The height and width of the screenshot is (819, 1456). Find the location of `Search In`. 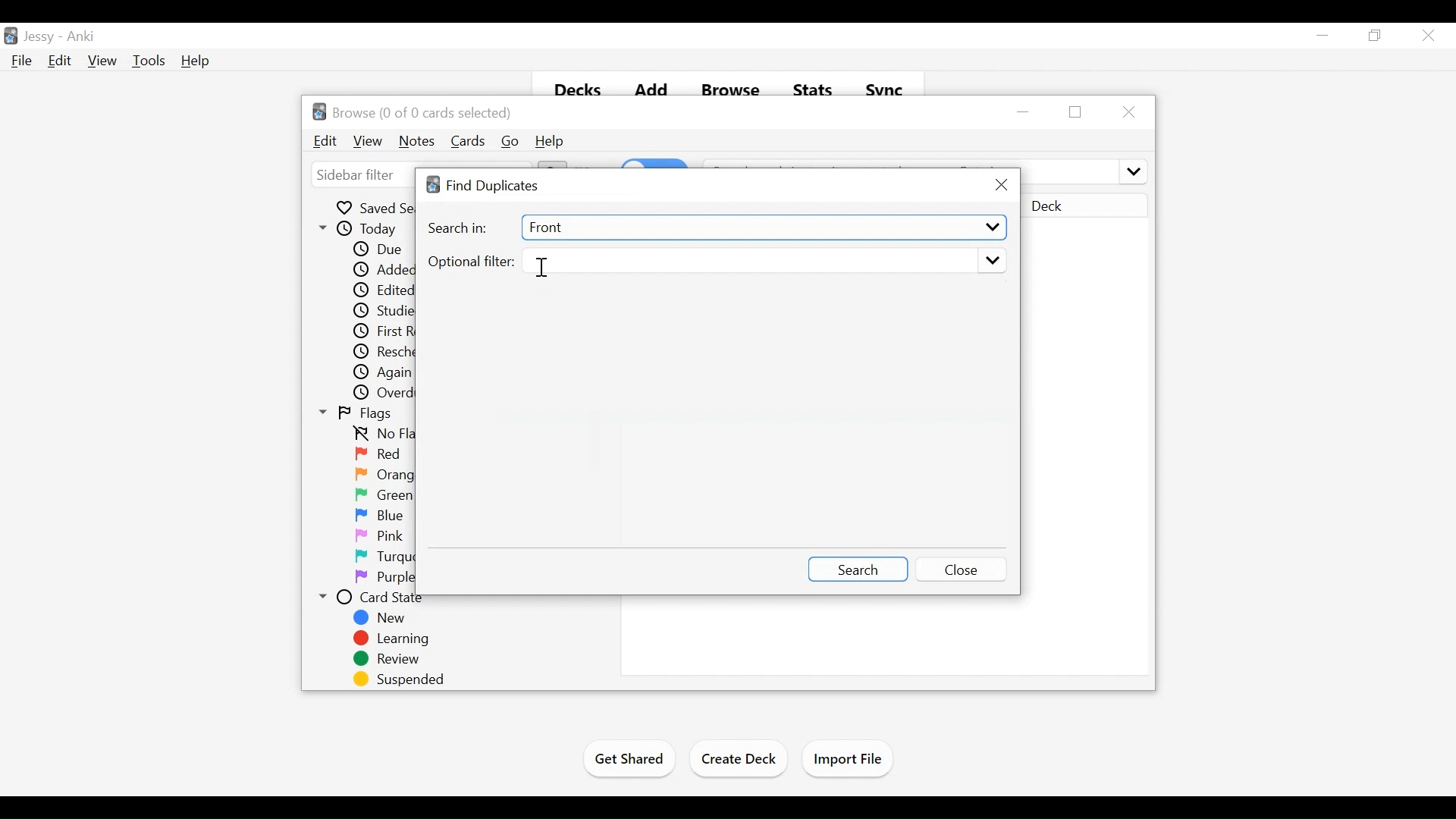

Search In is located at coordinates (459, 229).